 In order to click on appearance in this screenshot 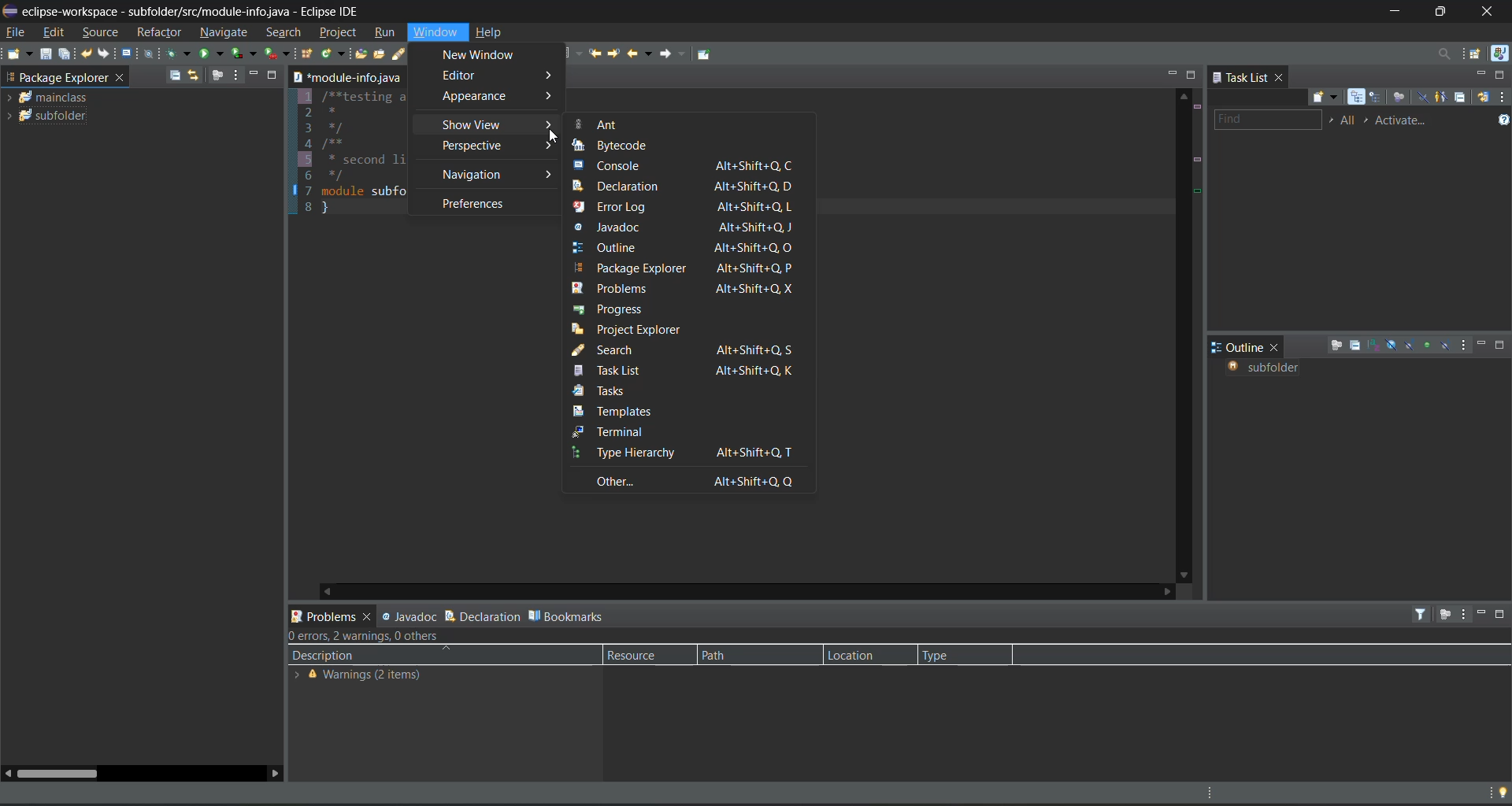, I will do `click(498, 97)`.